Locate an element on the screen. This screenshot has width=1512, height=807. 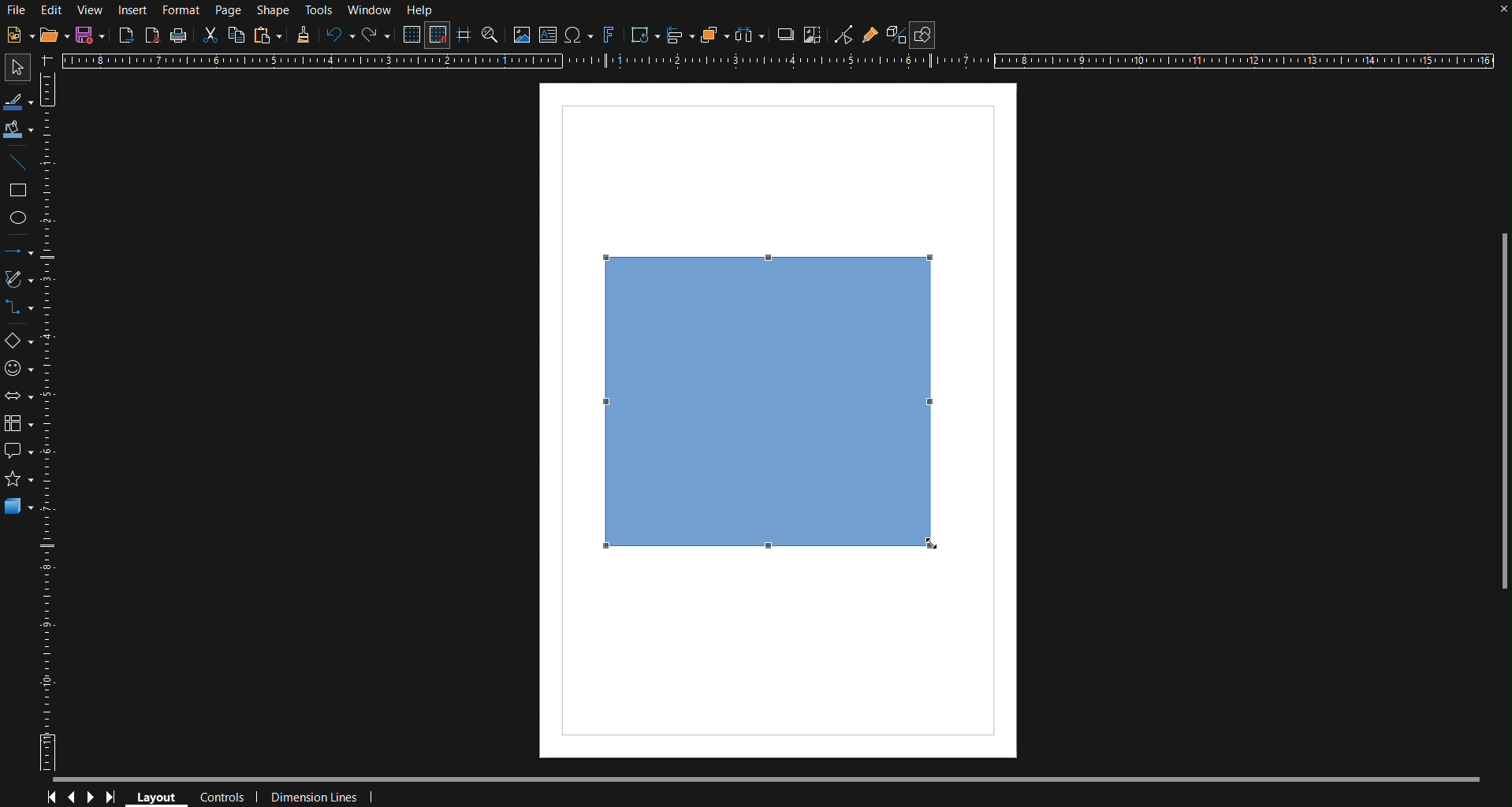
Basic Shapes is located at coordinates (19, 342).